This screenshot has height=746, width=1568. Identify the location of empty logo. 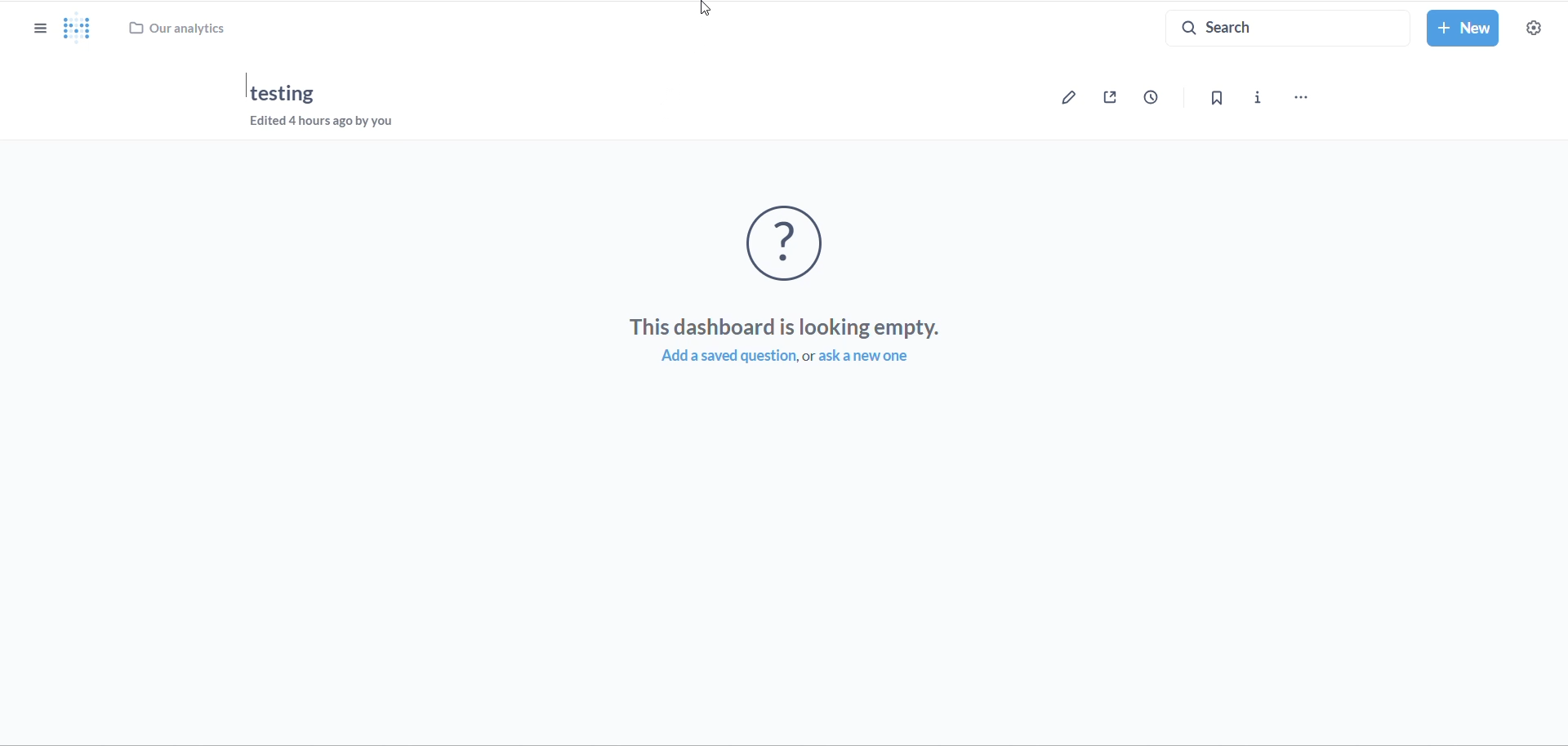
(795, 242).